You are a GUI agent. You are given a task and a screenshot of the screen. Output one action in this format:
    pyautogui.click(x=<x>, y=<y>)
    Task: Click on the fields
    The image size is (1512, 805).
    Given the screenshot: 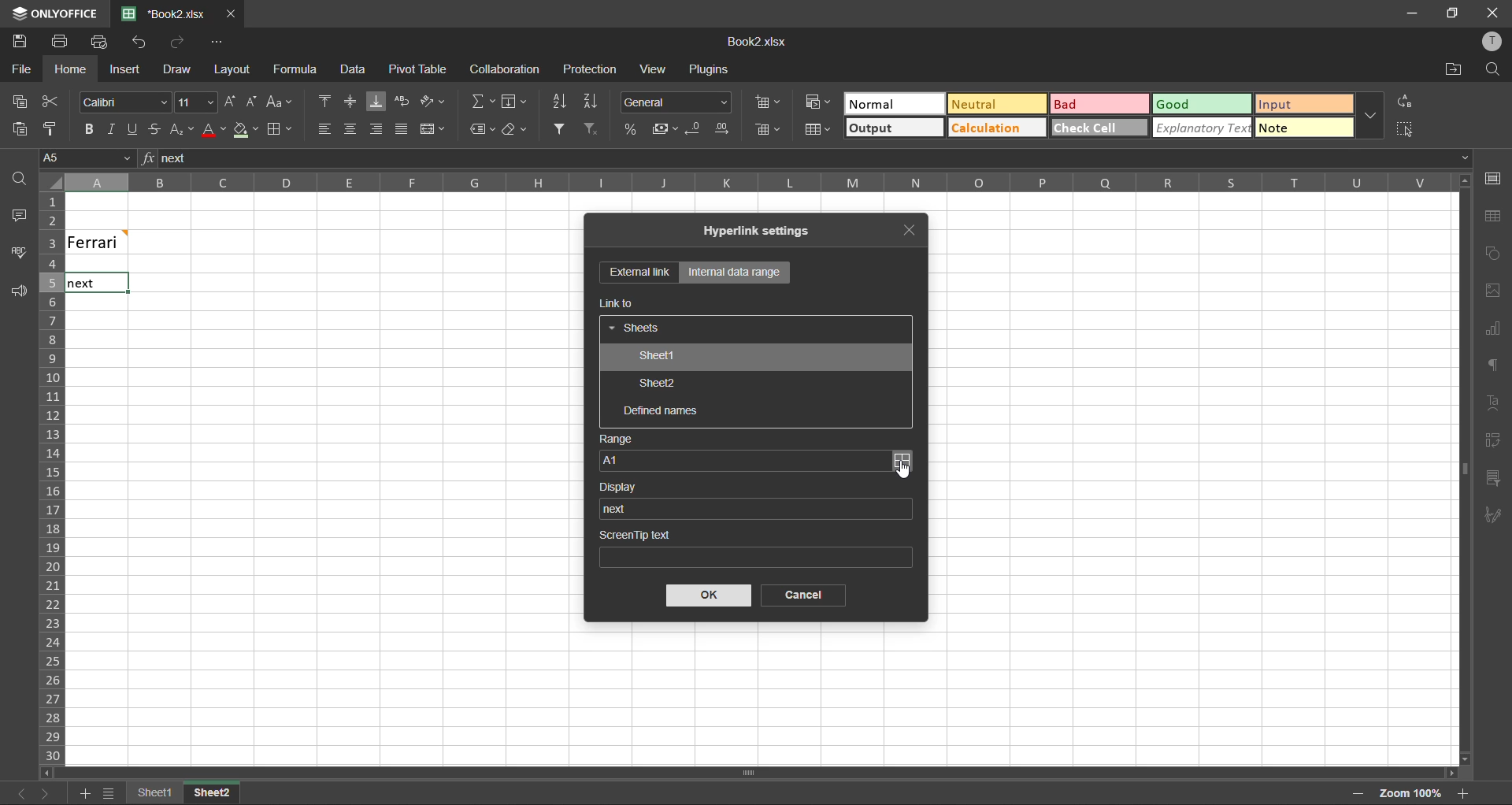 What is the action you would take?
    pyautogui.click(x=514, y=103)
    